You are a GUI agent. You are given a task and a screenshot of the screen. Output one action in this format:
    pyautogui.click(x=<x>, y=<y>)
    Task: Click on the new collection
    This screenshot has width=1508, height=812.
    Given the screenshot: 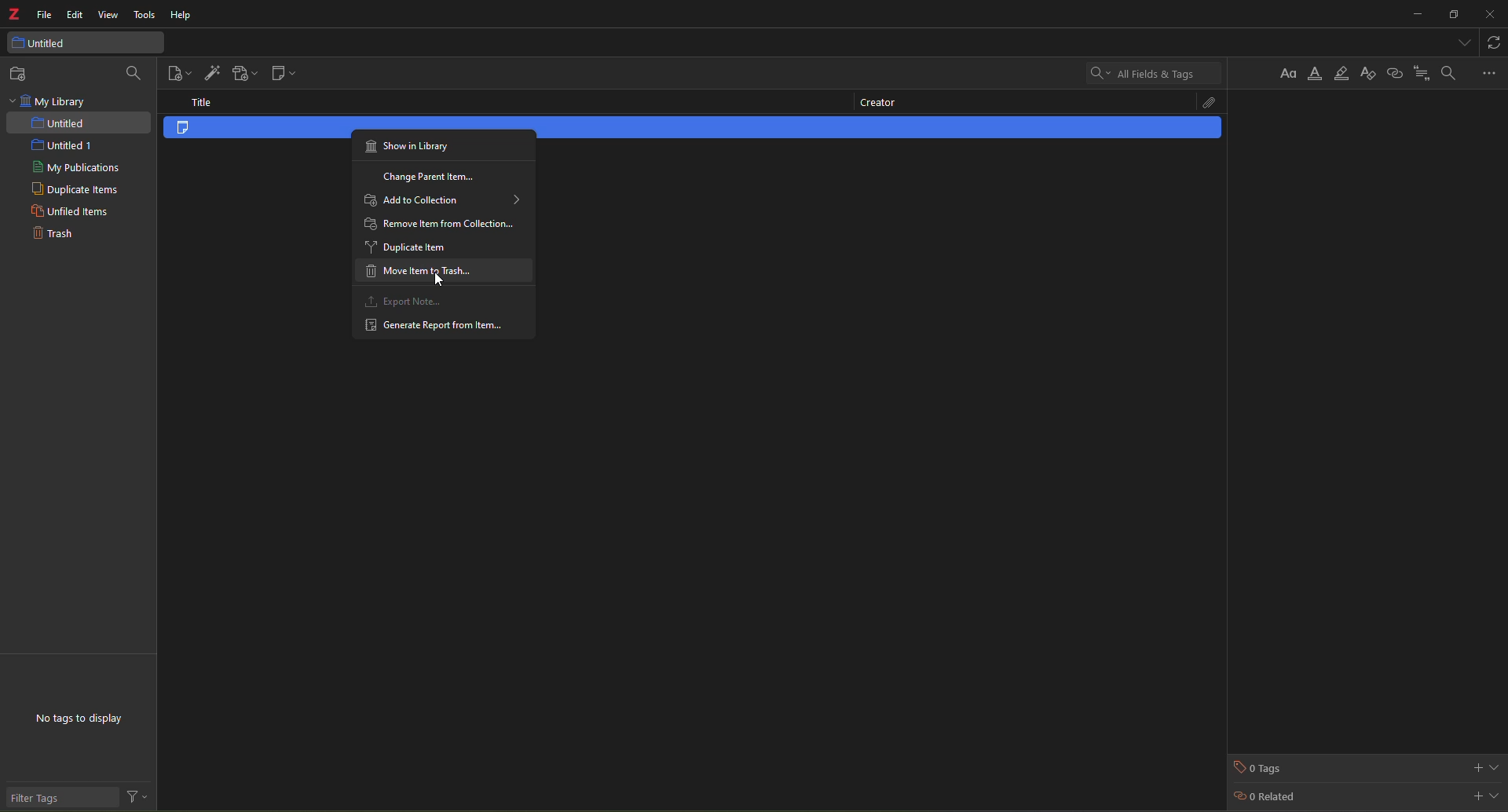 What is the action you would take?
    pyautogui.click(x=24, y=74)
    